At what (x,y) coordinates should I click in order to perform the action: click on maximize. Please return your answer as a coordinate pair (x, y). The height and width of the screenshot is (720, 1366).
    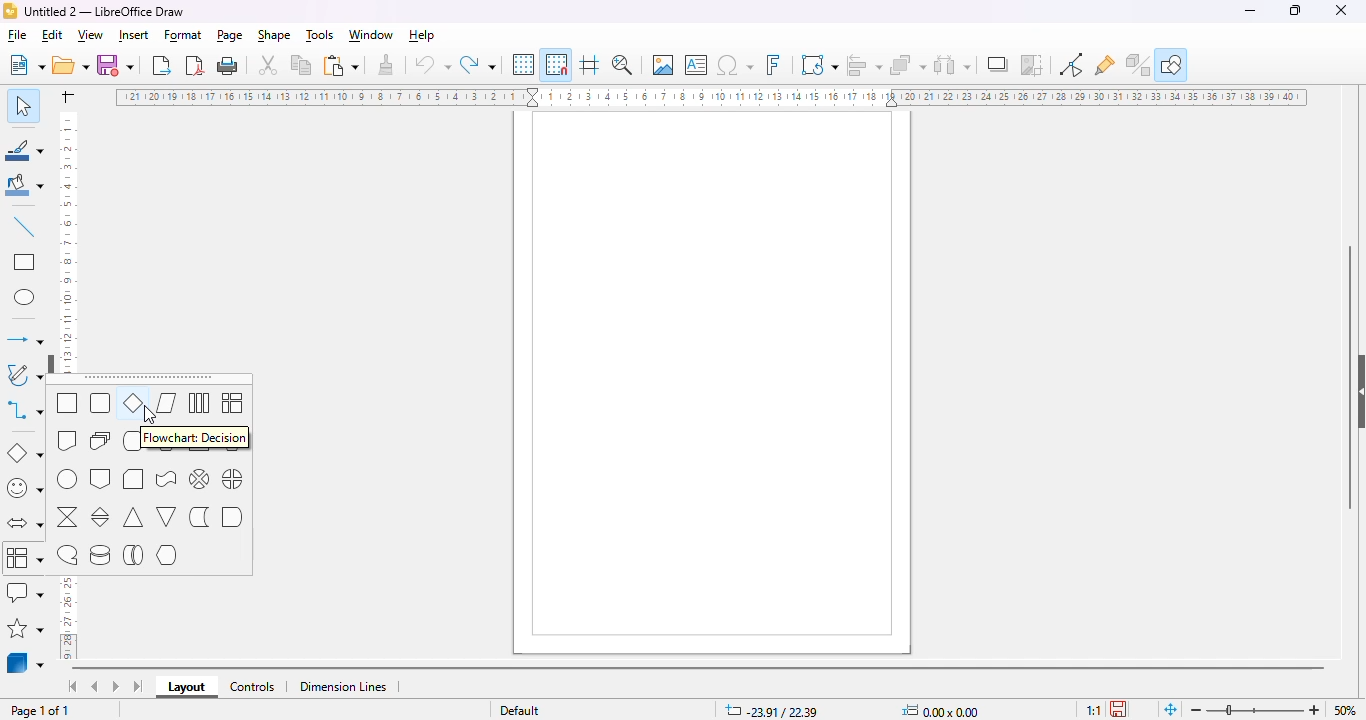
    Looking at the image, I should click on (1295, 10).